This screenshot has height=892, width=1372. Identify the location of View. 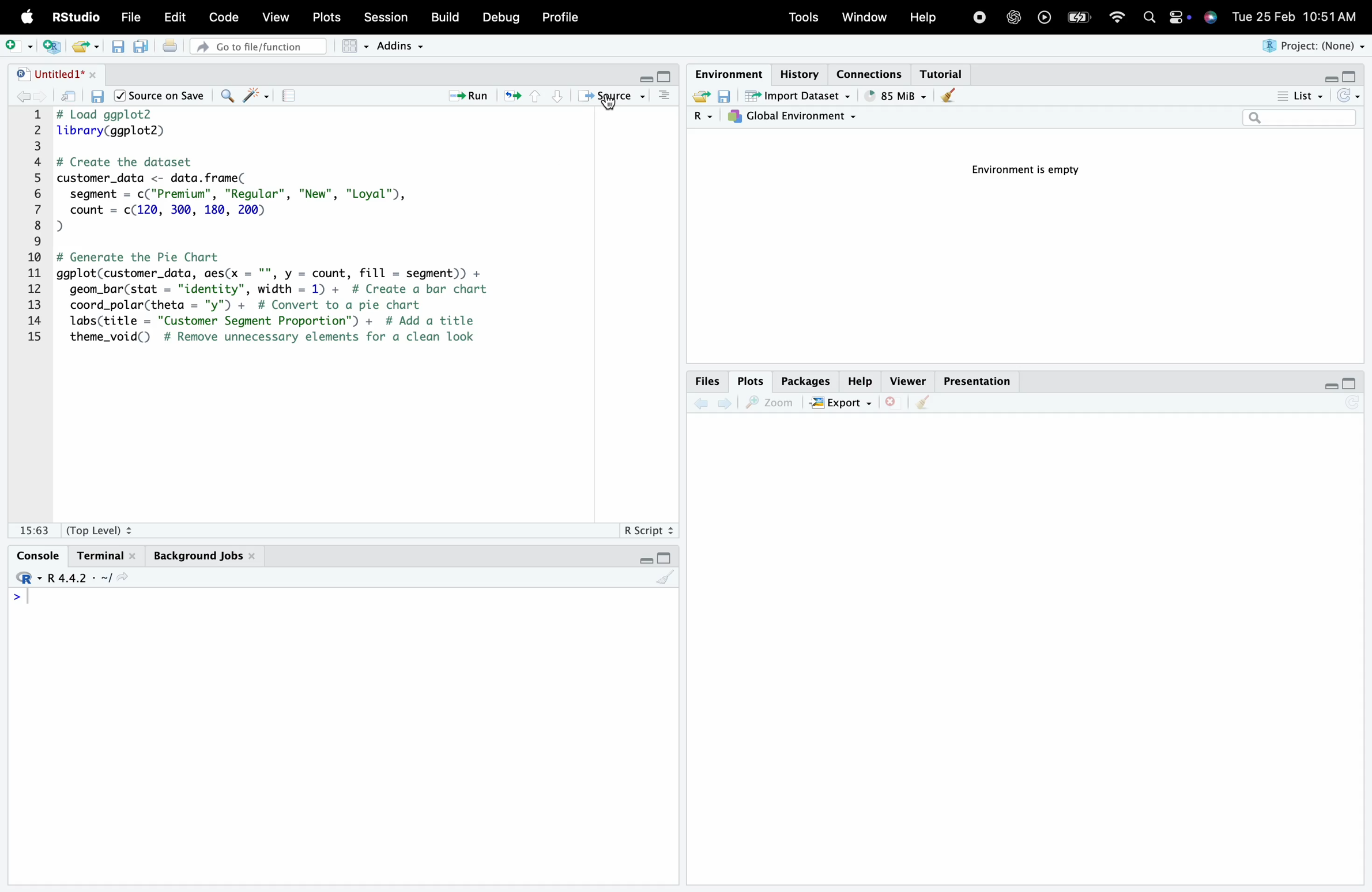
(278, 17).